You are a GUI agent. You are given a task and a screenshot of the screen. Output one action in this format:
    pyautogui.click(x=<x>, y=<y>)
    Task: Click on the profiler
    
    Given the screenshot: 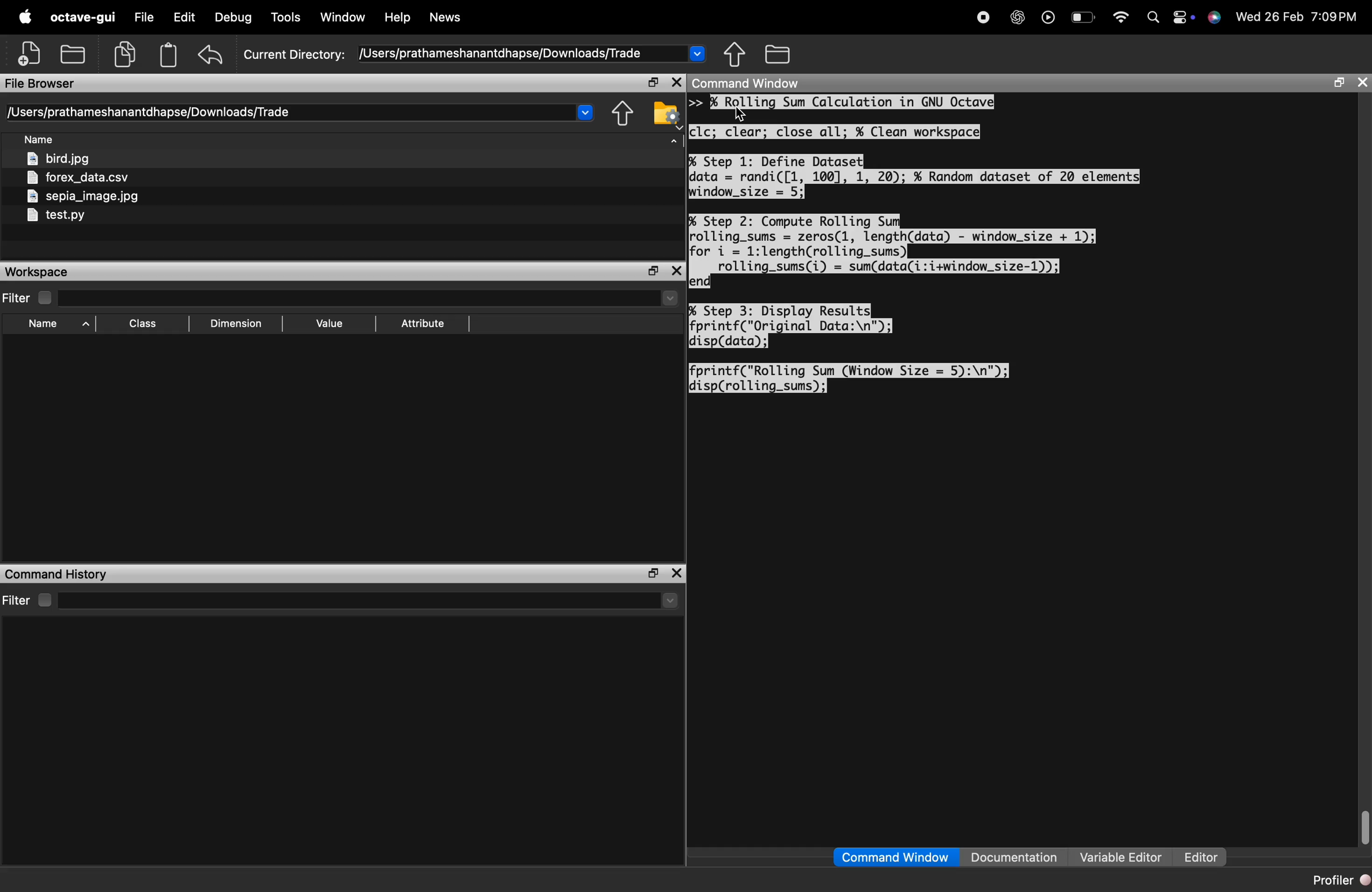 What is the action you would take?
    pyautogui.click(x=1339, y=882)
    